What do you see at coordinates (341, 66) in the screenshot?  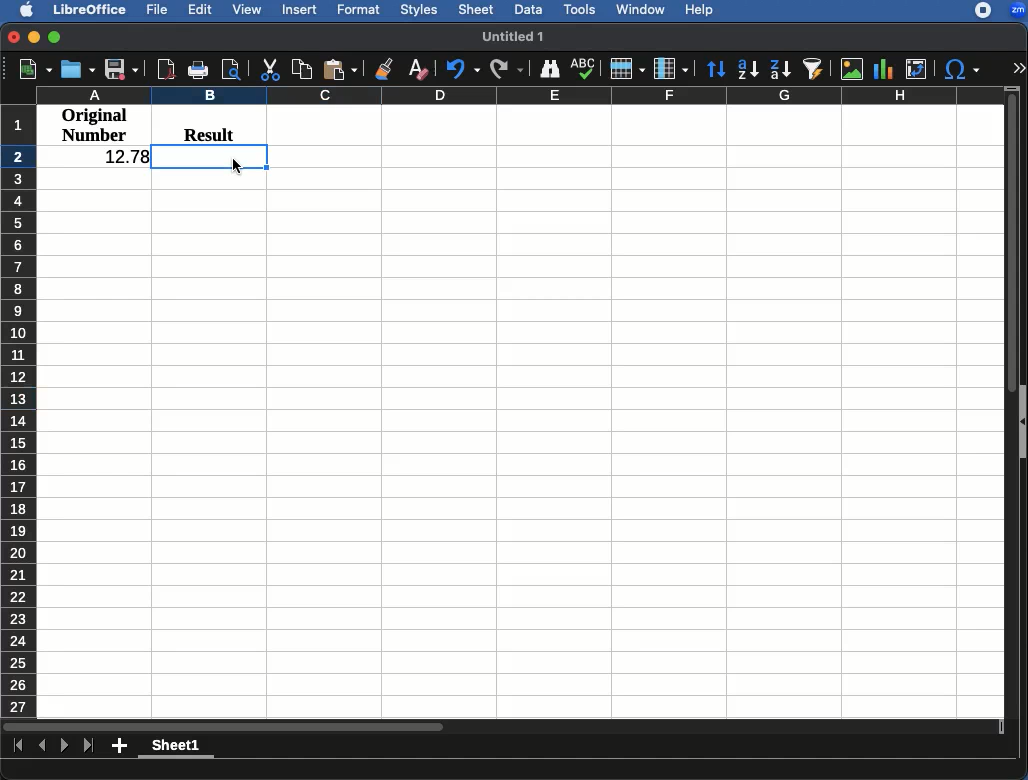 I see `Paste` at bounding box center [341, 66].